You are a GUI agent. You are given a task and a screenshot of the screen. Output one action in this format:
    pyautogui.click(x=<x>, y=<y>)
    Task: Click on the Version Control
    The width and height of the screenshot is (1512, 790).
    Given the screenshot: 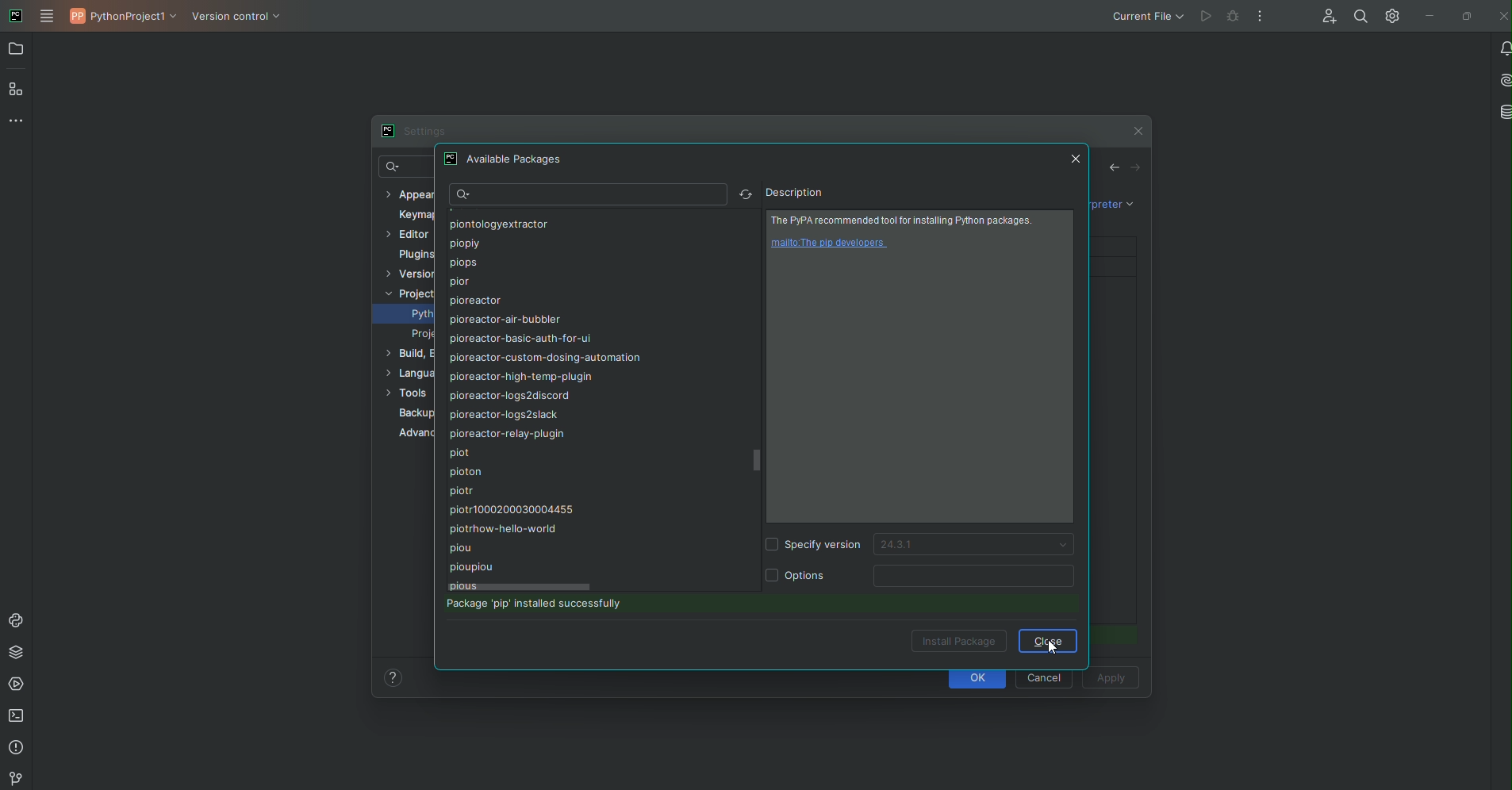 What is the action you would take?
    pyautogui.click(x=409, y=272)
    